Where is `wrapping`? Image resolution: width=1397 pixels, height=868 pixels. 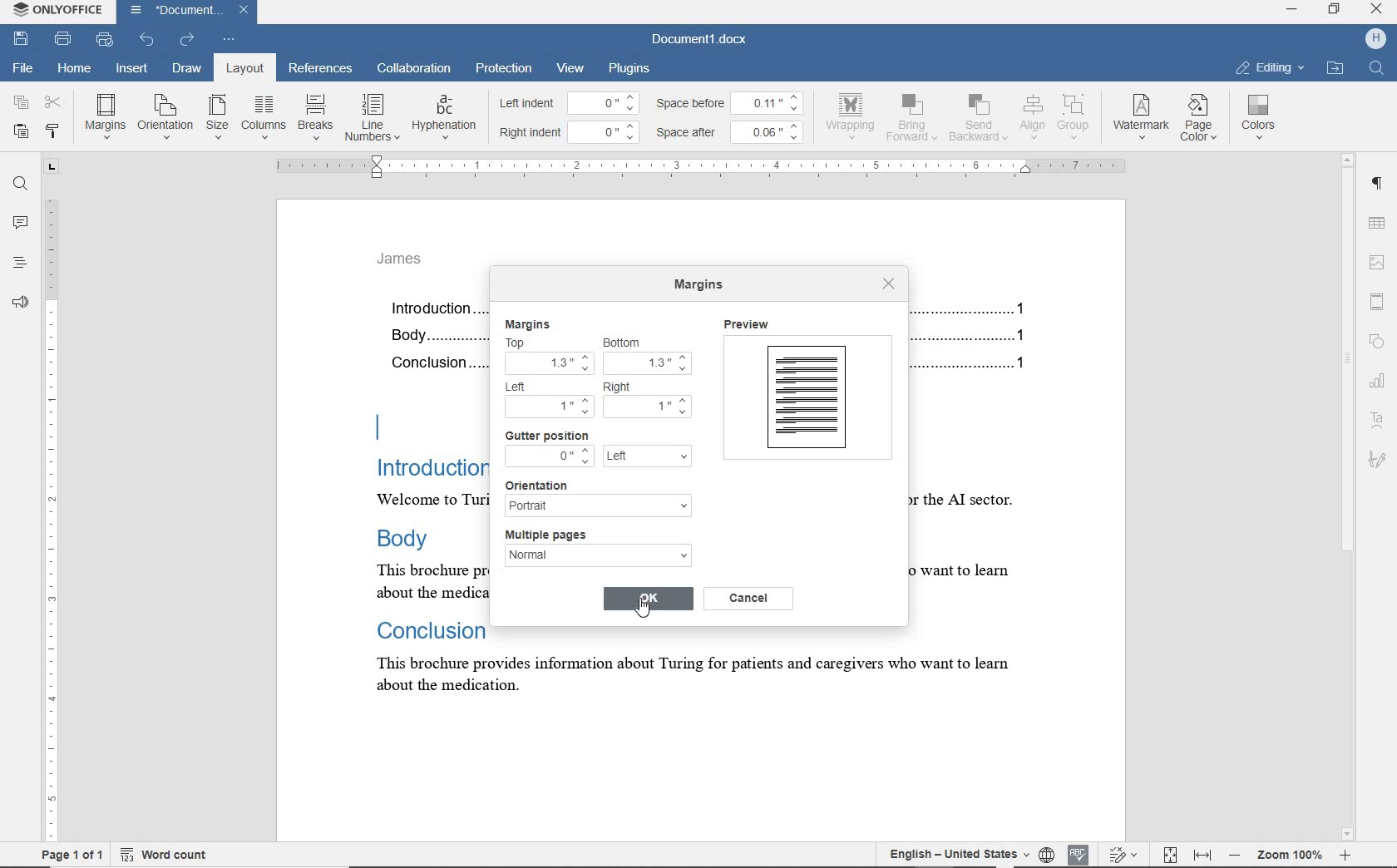 wrapping is located at coordinates (853, 116).